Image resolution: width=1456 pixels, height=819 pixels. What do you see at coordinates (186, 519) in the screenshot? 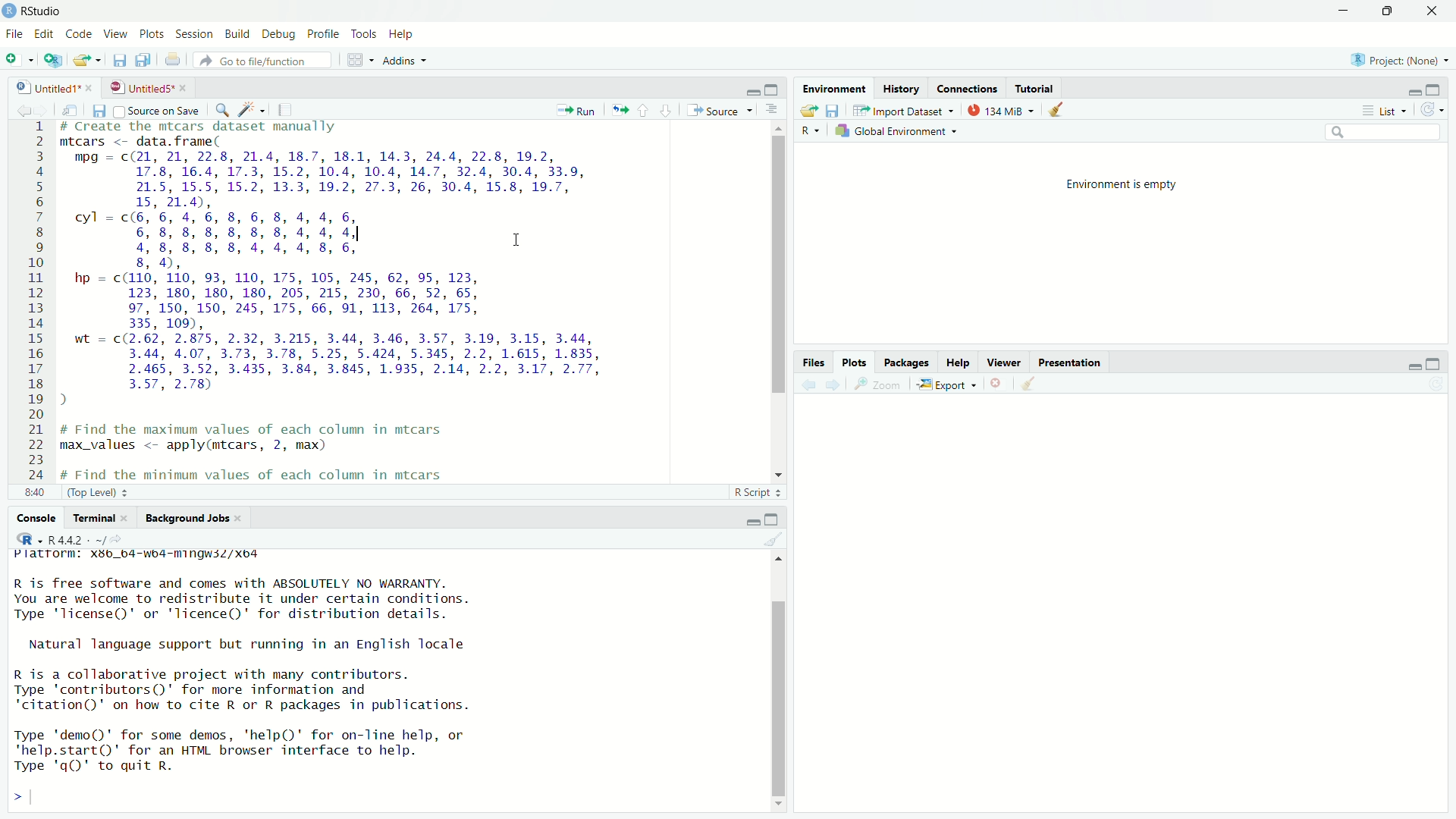
I see `Background Jobs` at bounding box center [186, 519].